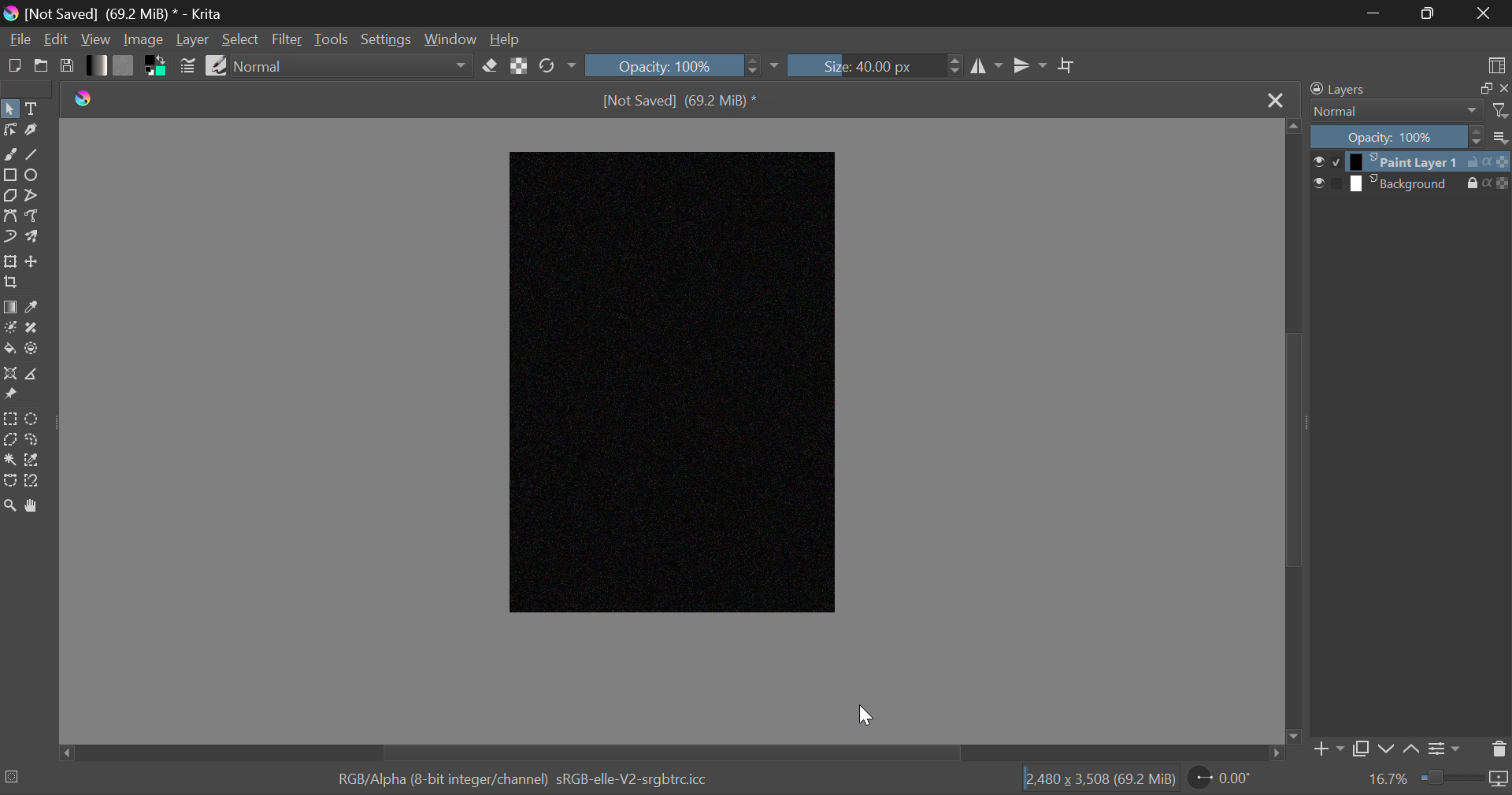  Describe the element at coordinates (670, 753) in the screenshot. I see `Scroll Bar` at that location.